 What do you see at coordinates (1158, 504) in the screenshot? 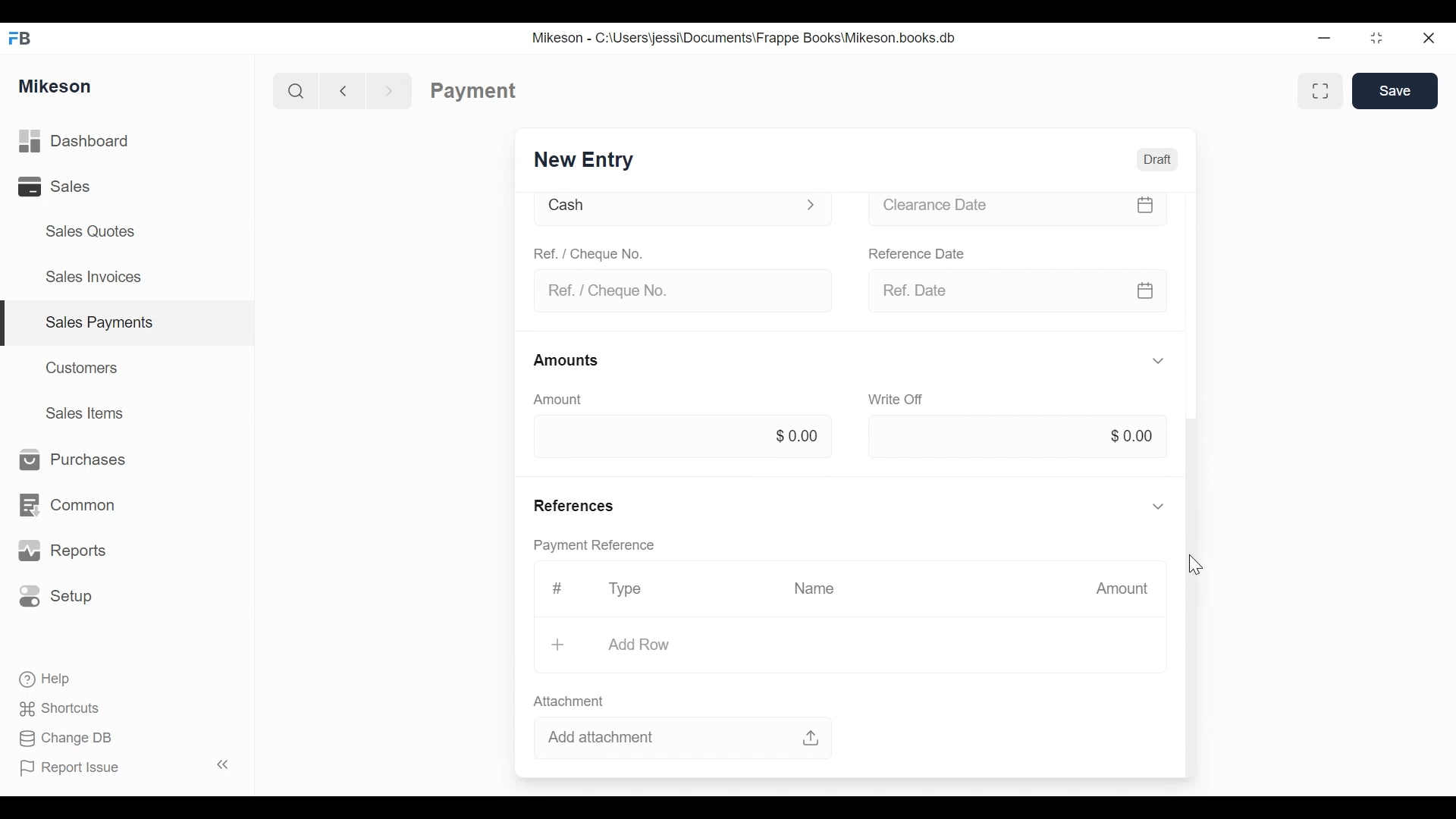
I see `more` at bounding box center [1158, 504].